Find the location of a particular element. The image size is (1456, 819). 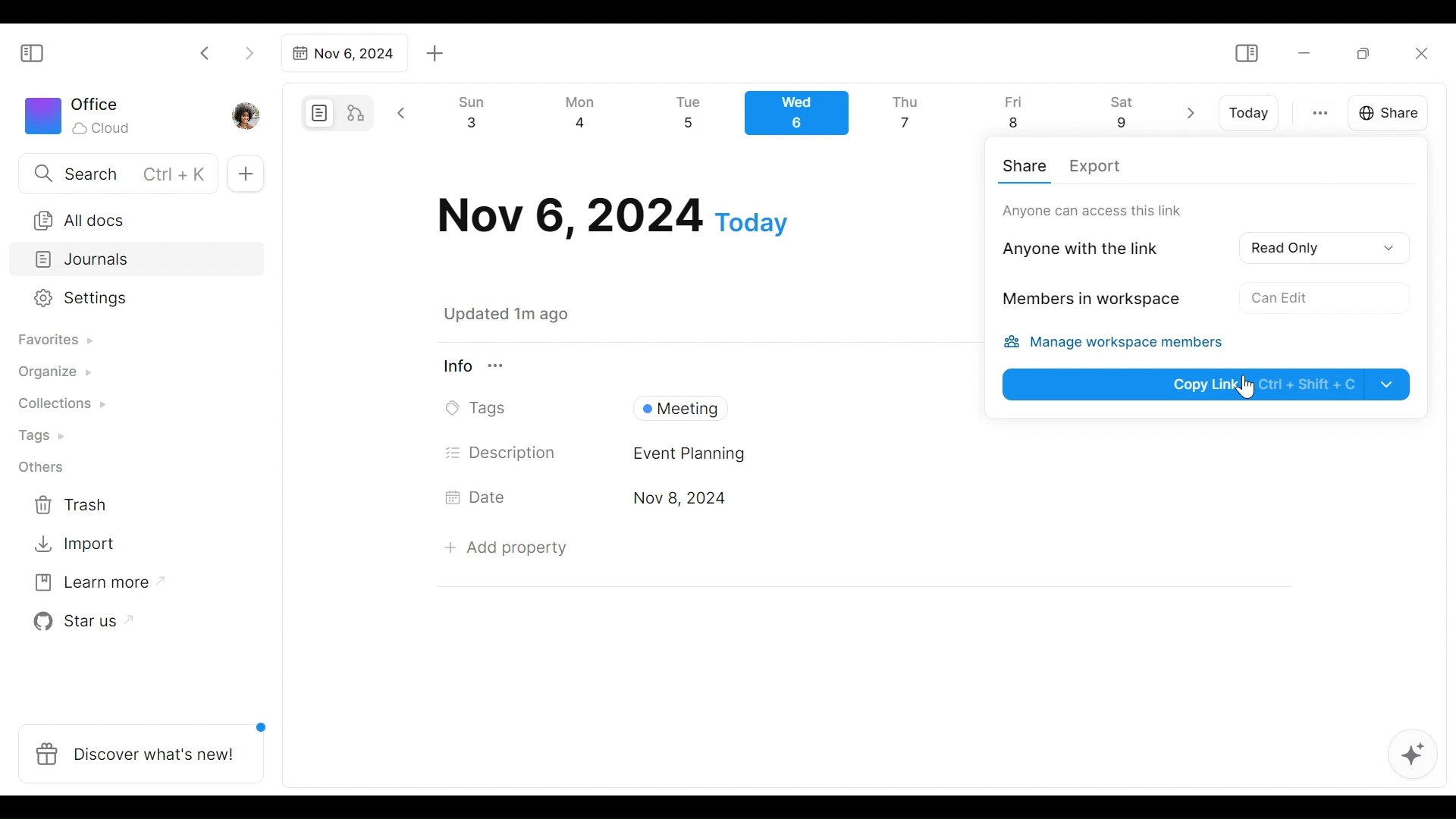

Page mode is located at coordinates (317, 113).